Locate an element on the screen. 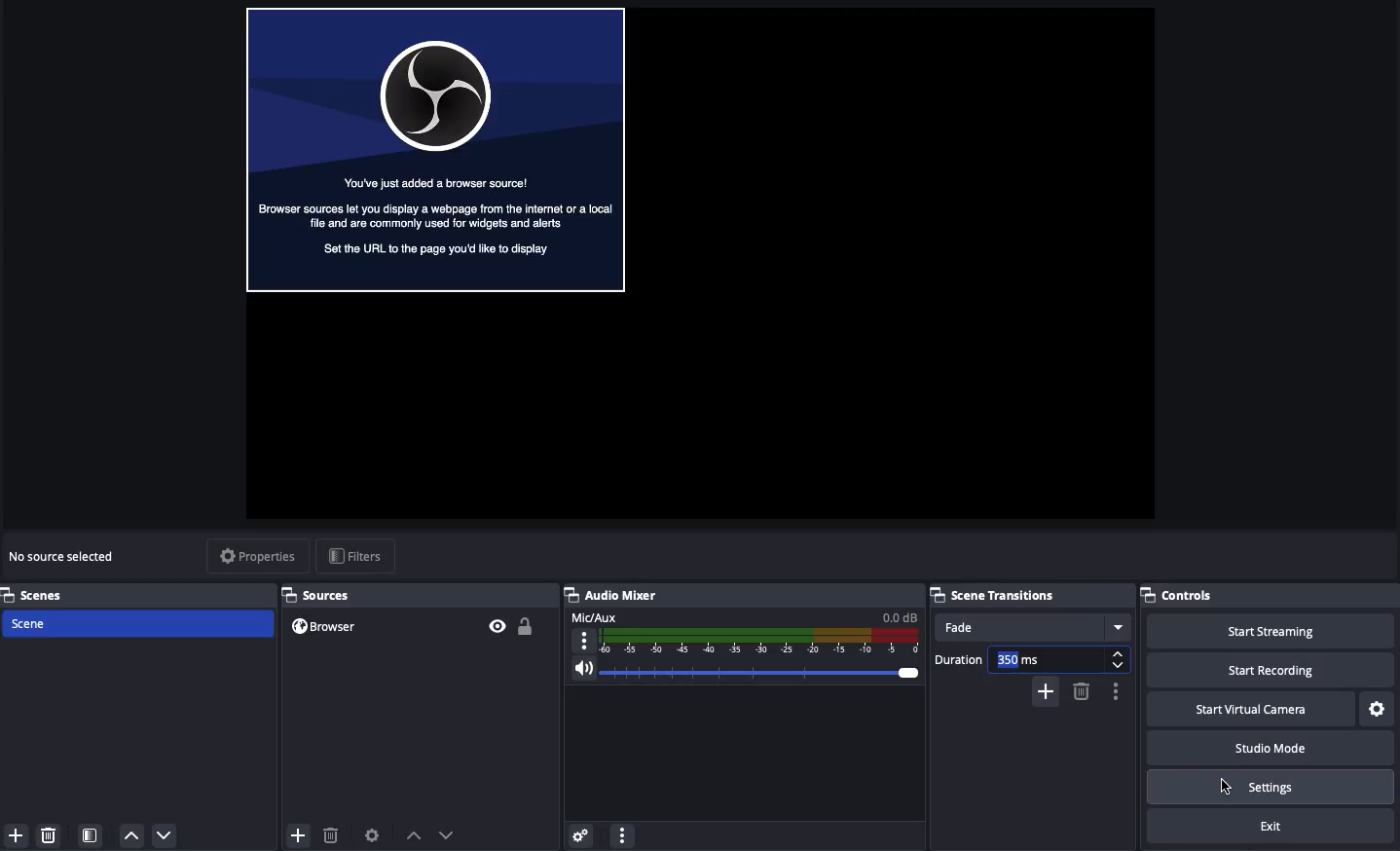 The image size is (1400, 851). Add is located at coordinates (299, 833).